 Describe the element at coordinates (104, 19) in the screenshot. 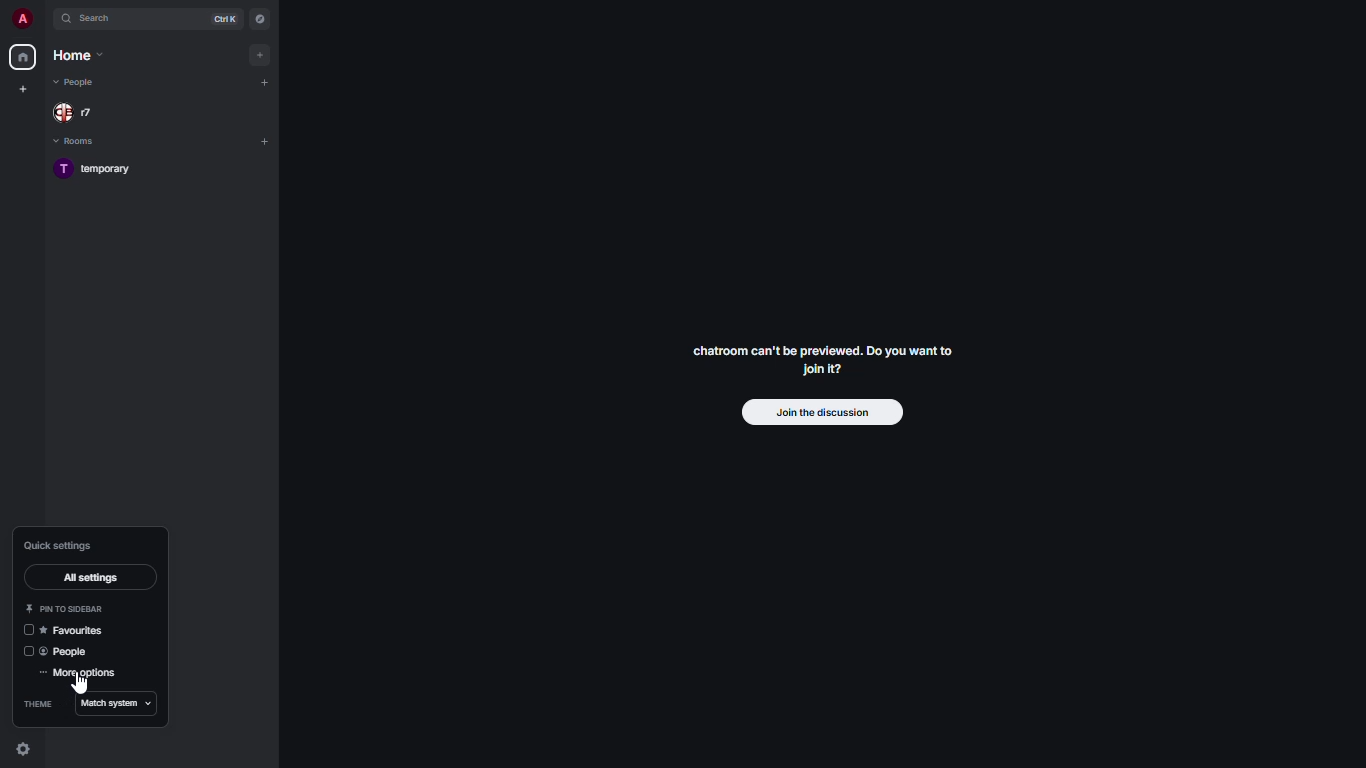

I see `search` at that location.